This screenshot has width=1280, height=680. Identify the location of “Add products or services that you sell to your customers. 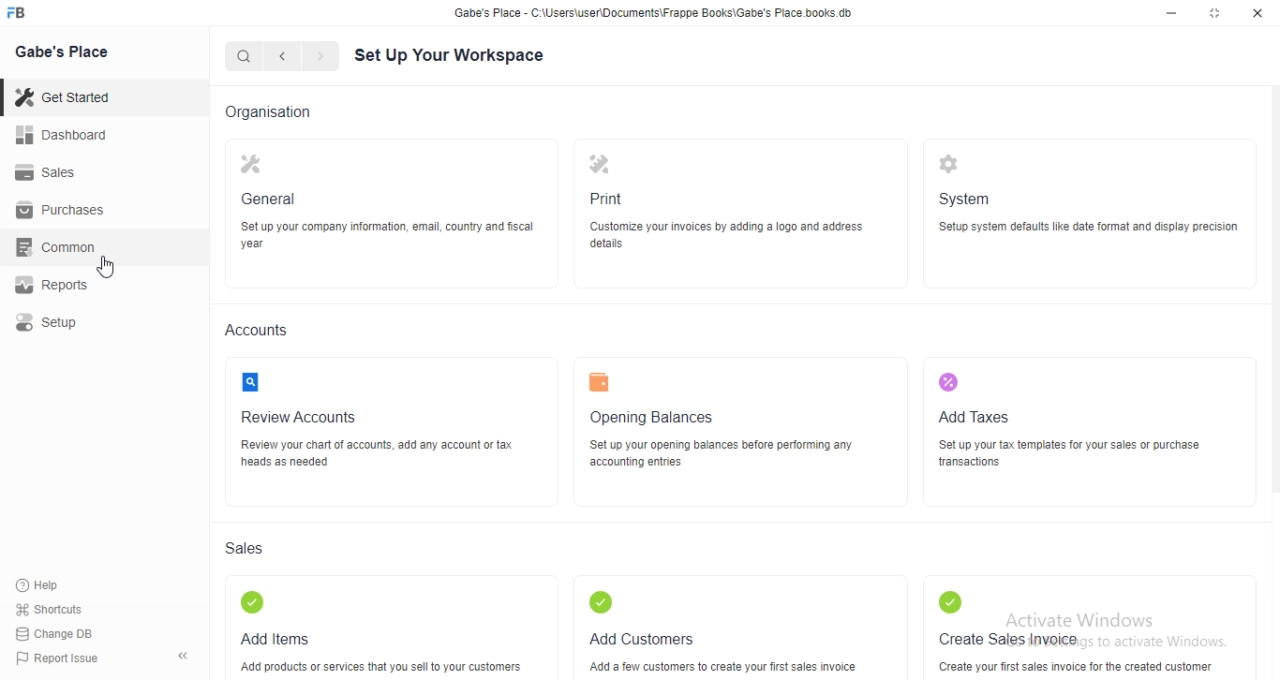
(379, 668).